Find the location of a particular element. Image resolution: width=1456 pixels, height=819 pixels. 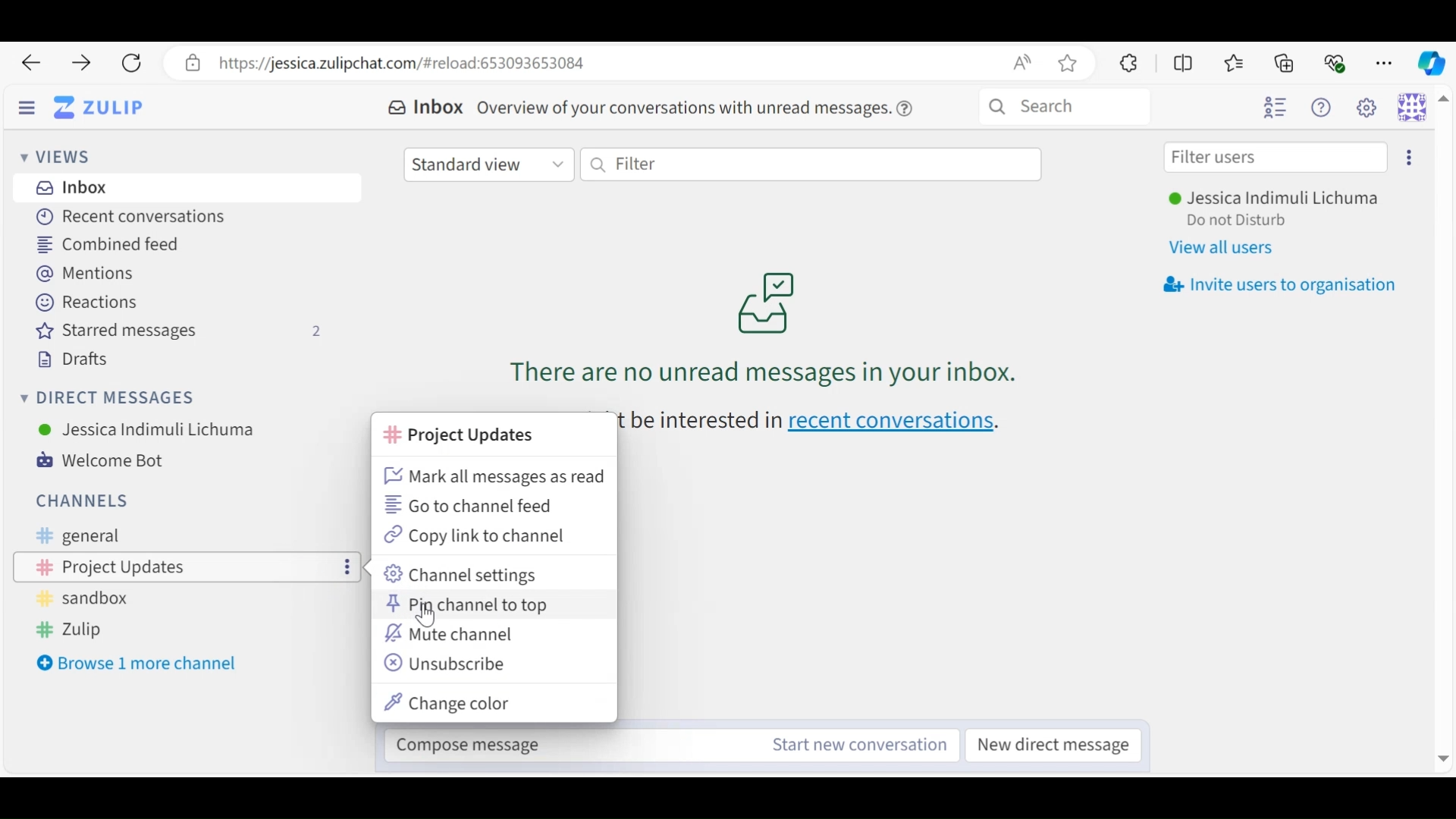

Filter is located at coordinates (811, 163).